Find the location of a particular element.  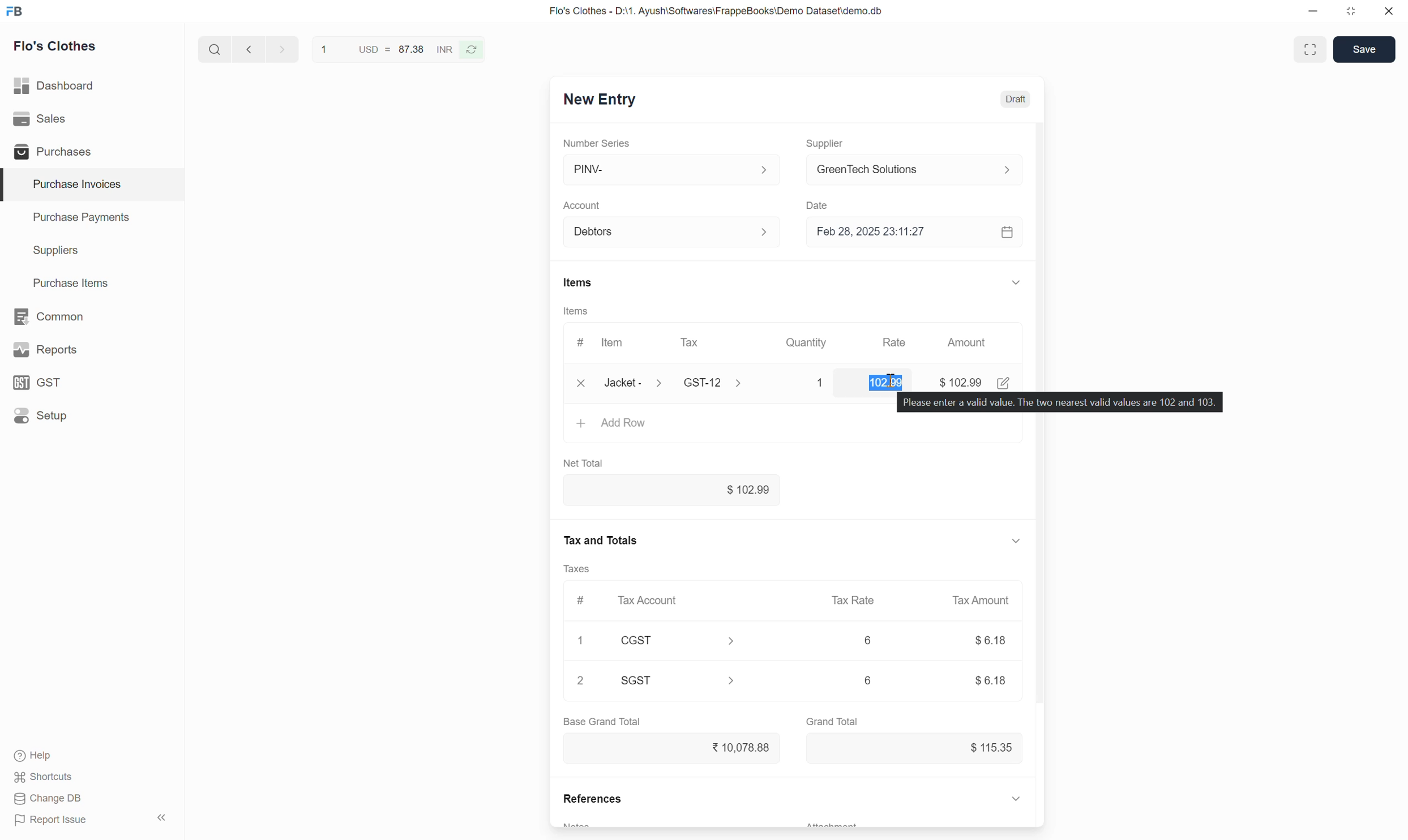

Draft is located at coordinates (1016, 99).